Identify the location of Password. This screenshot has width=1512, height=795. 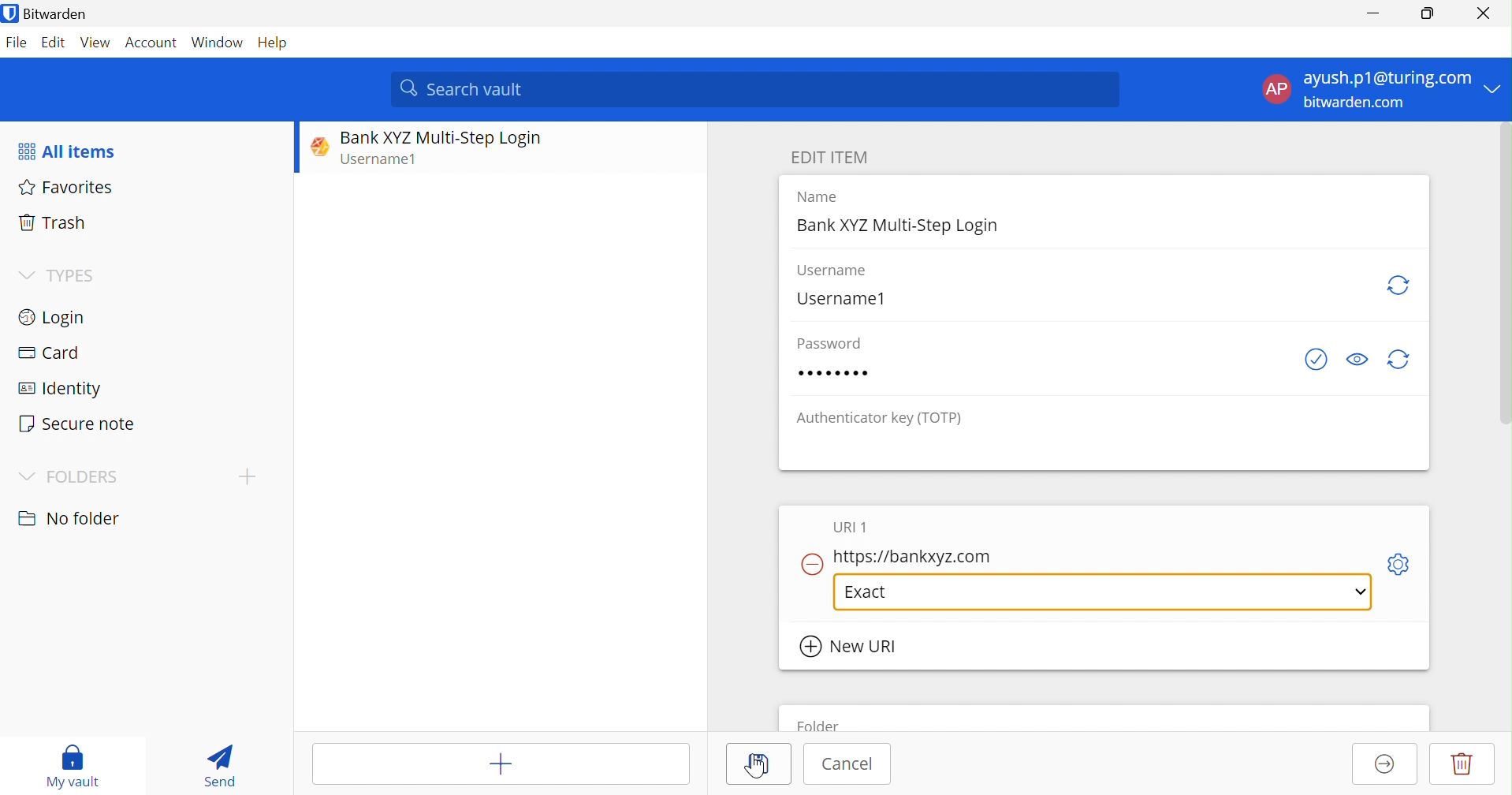
(832, 344).